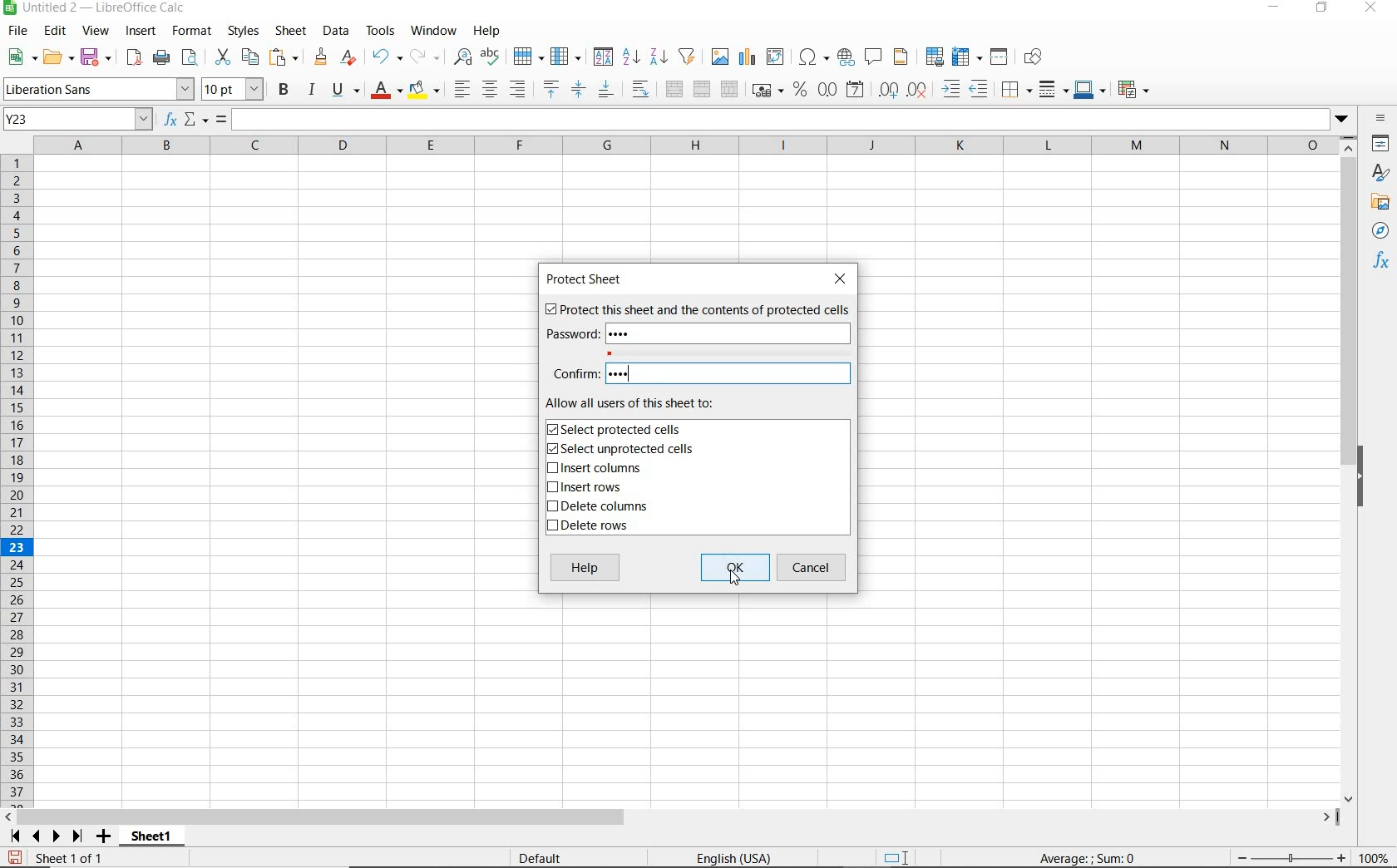  Describe the element at coordinates (624, 334) in the screenshot. I see `PASSWORD ADDED` at that location.